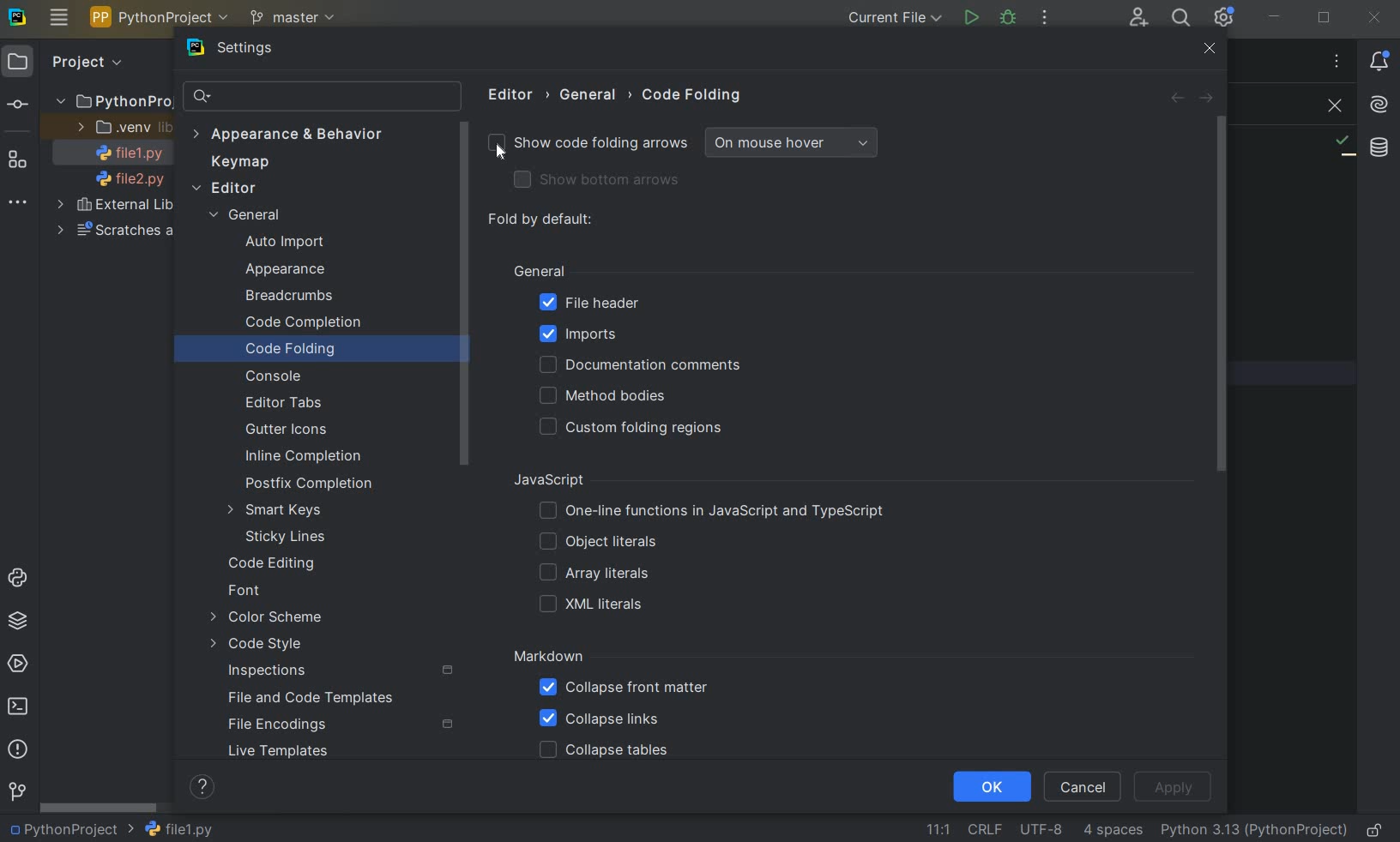  I want to click on FILE HEADER, so click(588, 304).